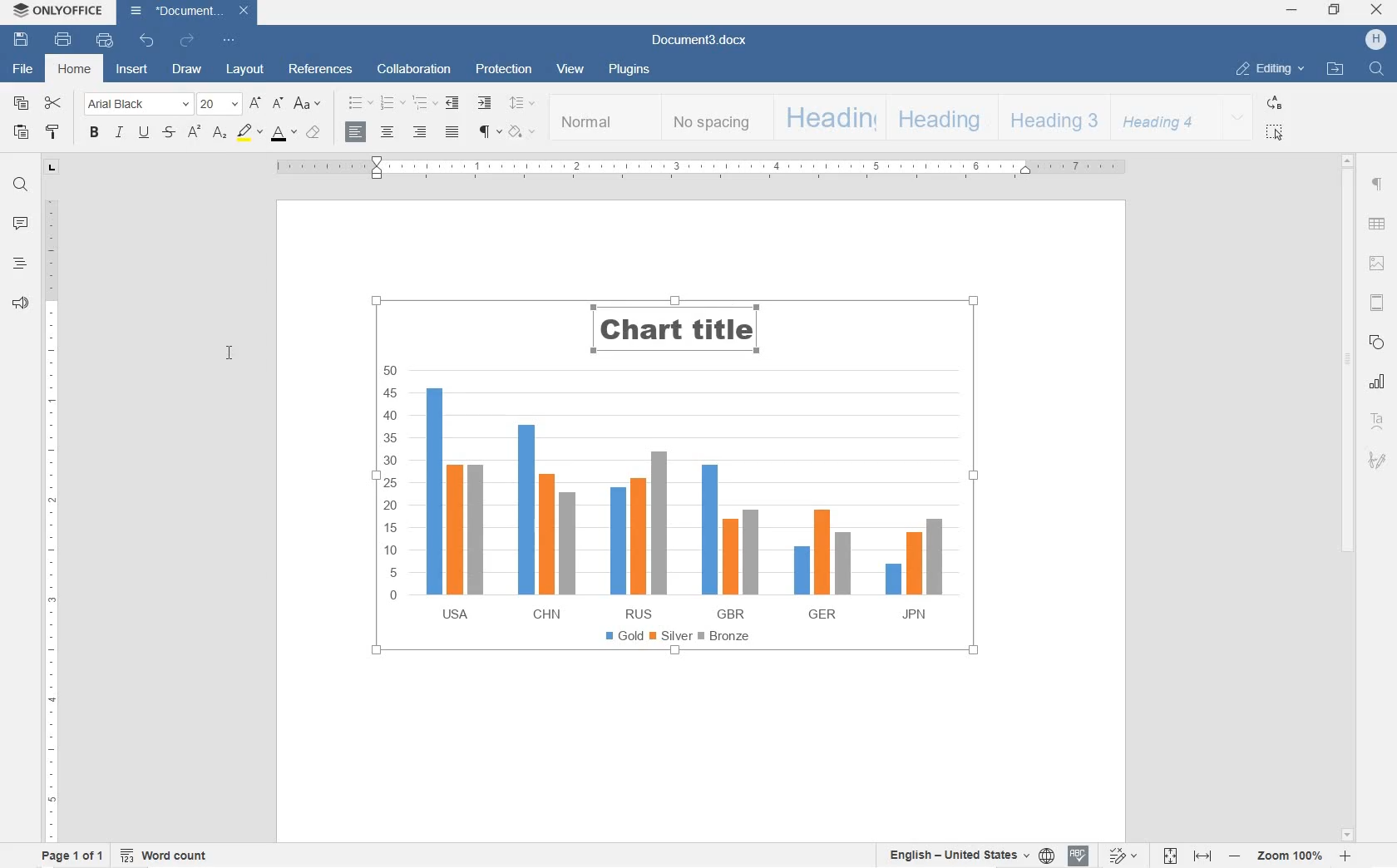 Image resolution: width=1397 pixels, height=868 pixels. Describe the element at coordinates (698, 42) in the screenshot. I see `Document3.docx` at that location.